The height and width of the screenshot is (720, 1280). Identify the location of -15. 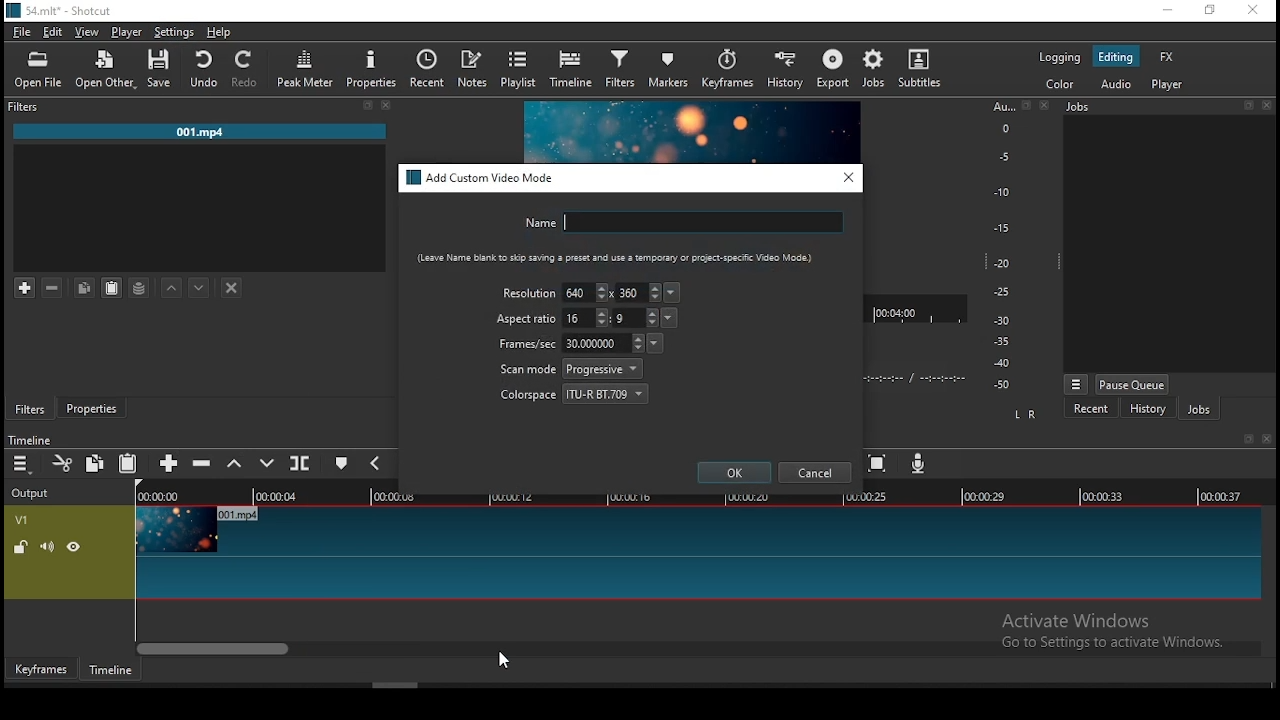
(1000, 227).